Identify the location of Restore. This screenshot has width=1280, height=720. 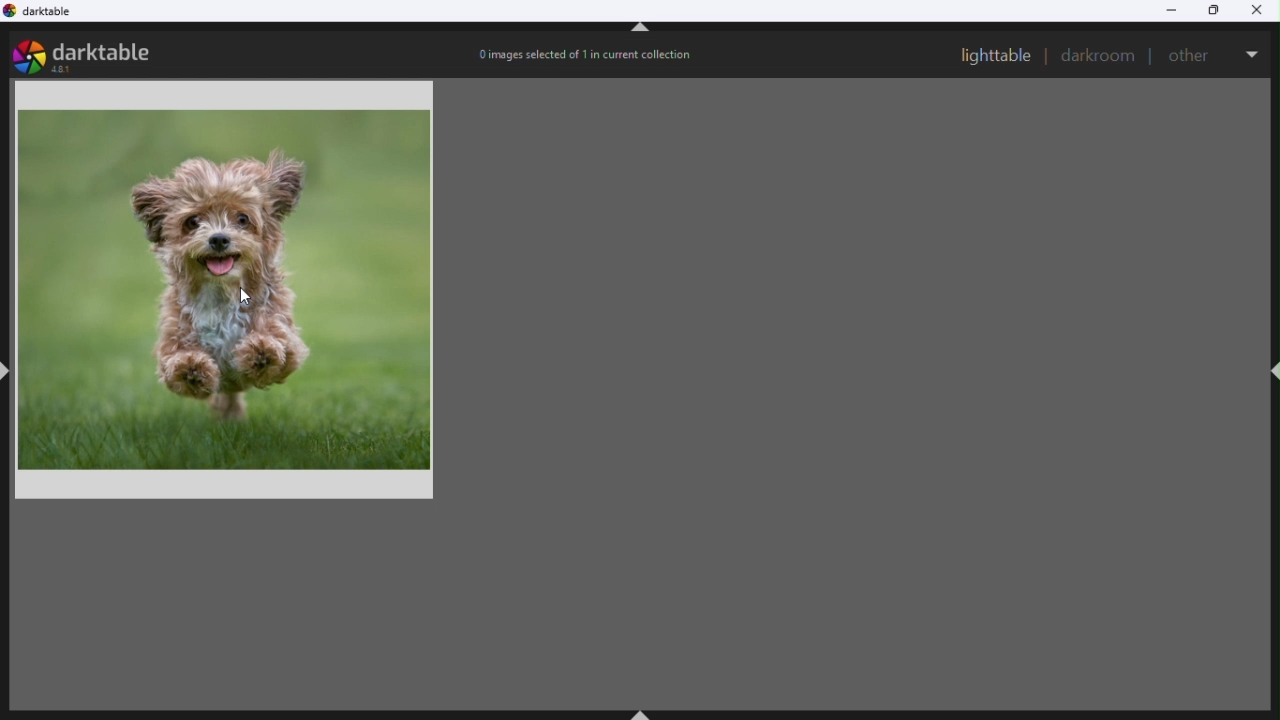
(1216, 12).